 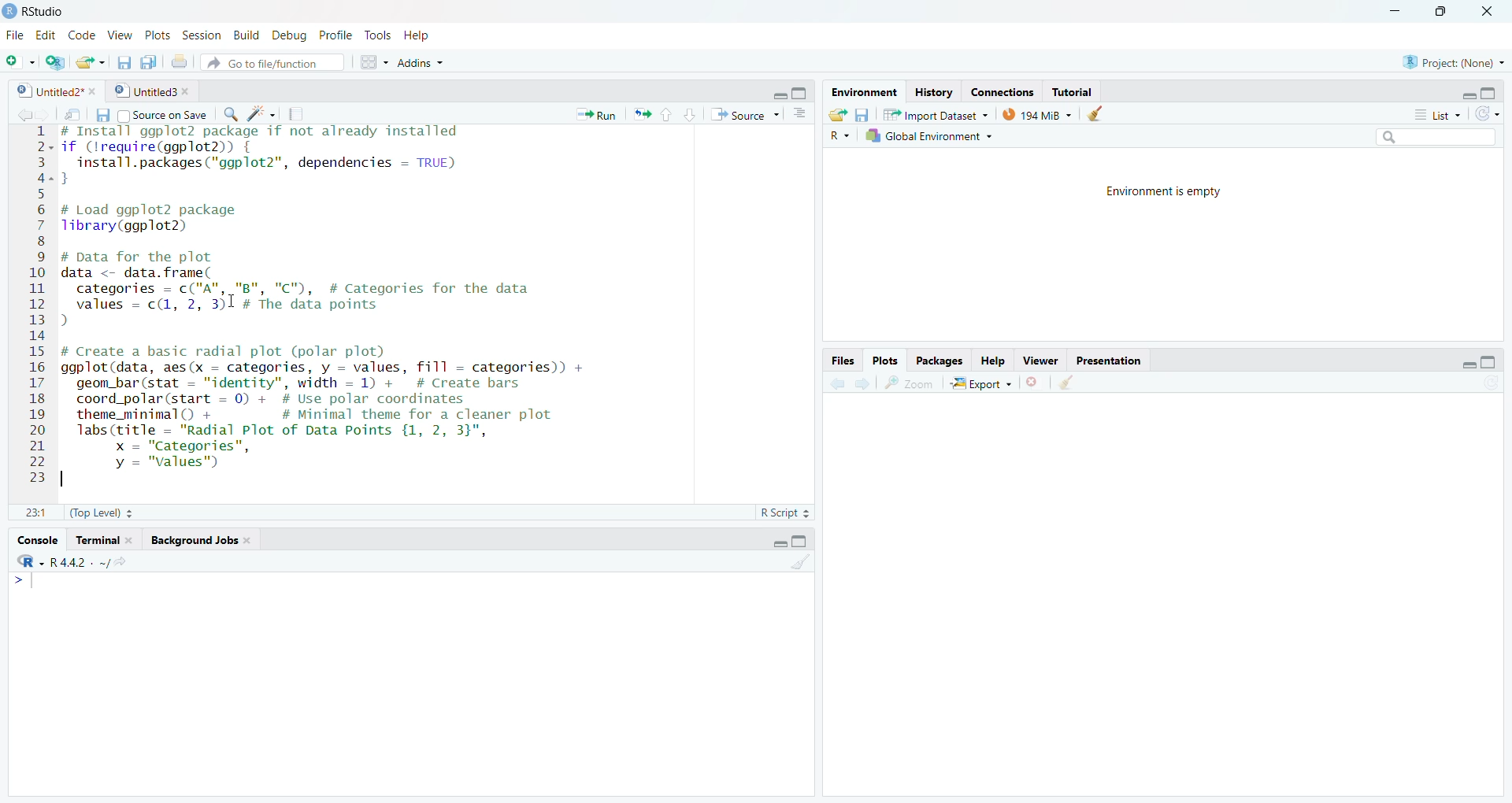 What do you see at coordinates (276, 62) in the screenshot?
I see `” Go to file/function` at bounding box center [276, 62].